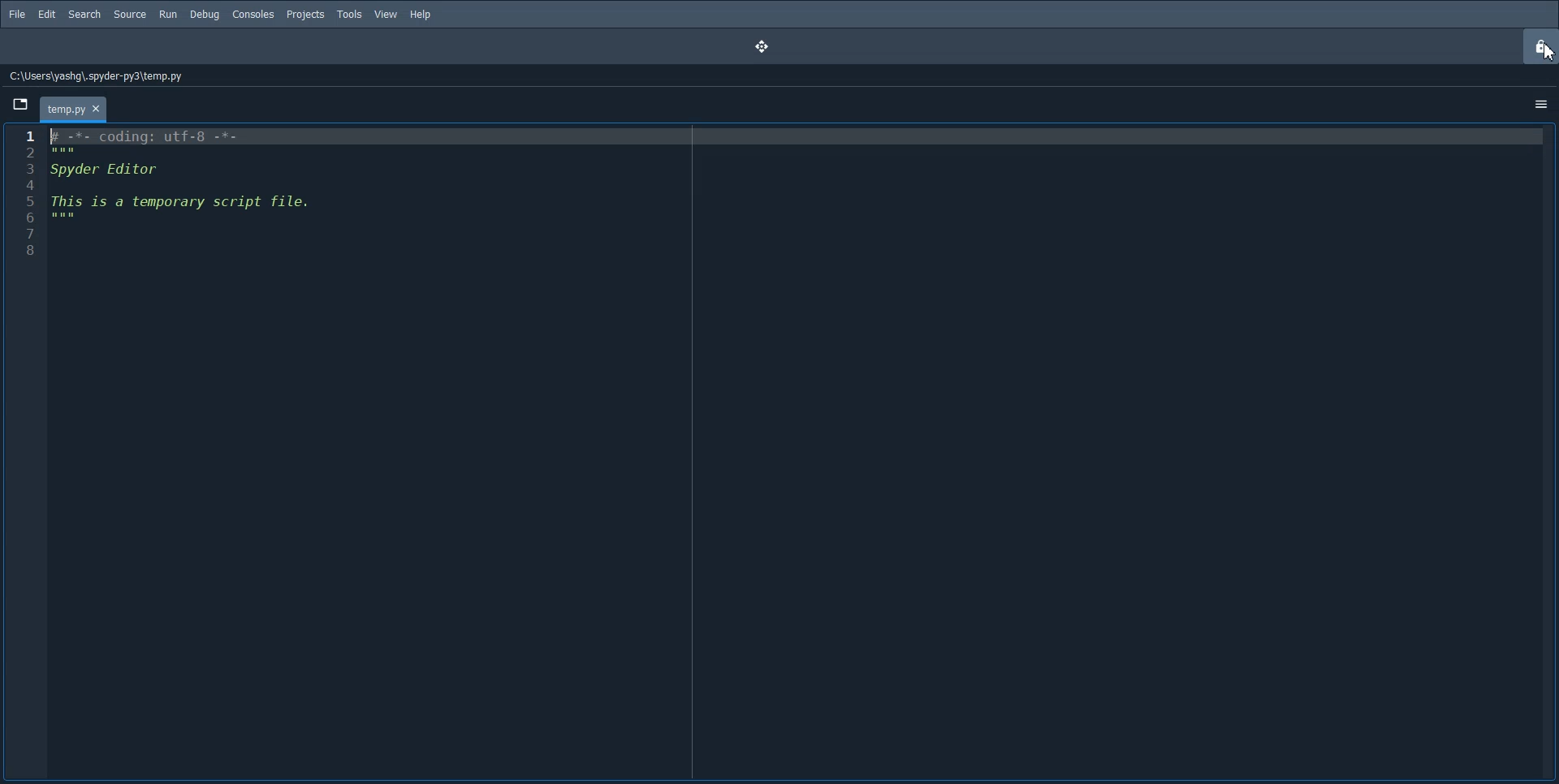 The image size is (1559, 784). What do you see at coordinates (1541, 104) in the screenshot?
I see `Option` at bounding box center [1541, 104].